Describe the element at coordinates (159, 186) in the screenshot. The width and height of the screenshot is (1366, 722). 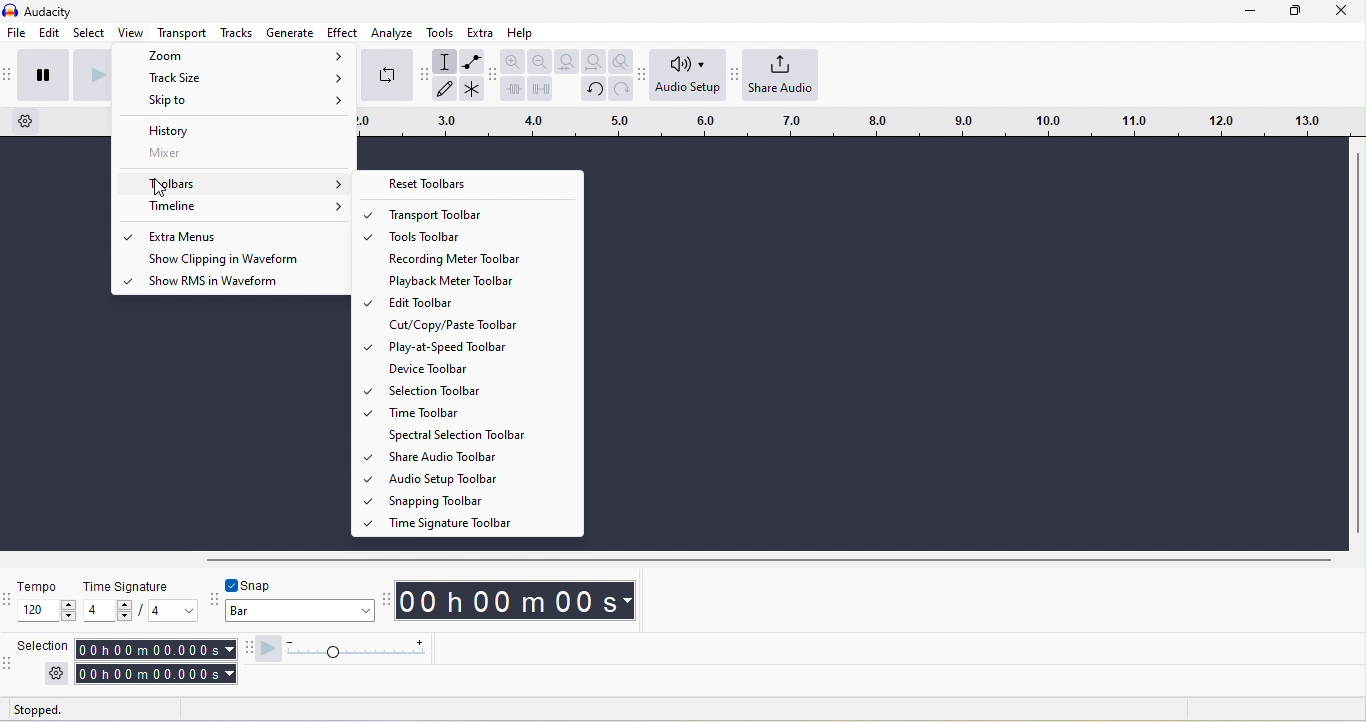
I see `cursor` at that location.